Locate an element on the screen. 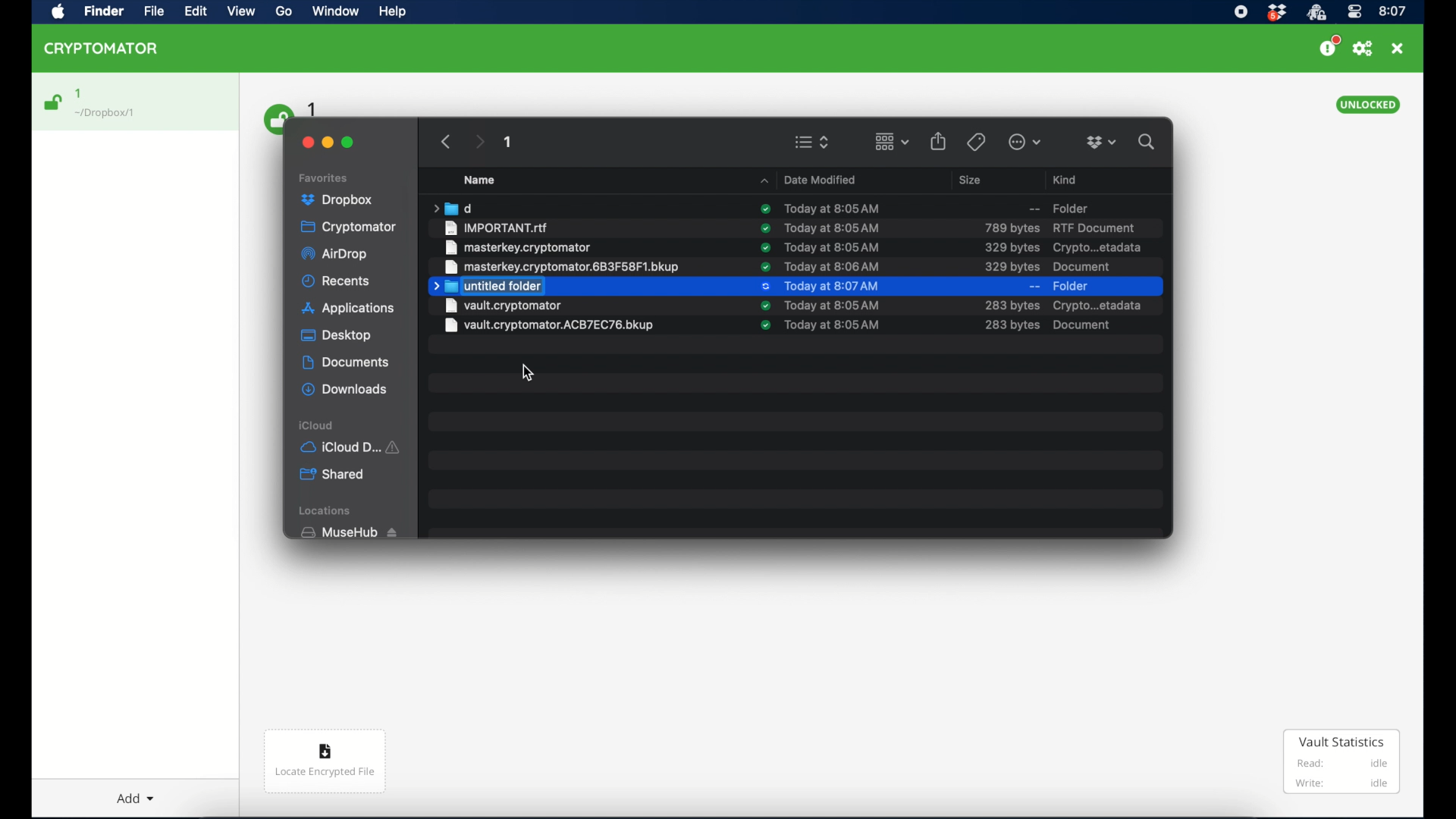 This screenshot has width=1456, height=819. close is located at coordinates (305, 140).